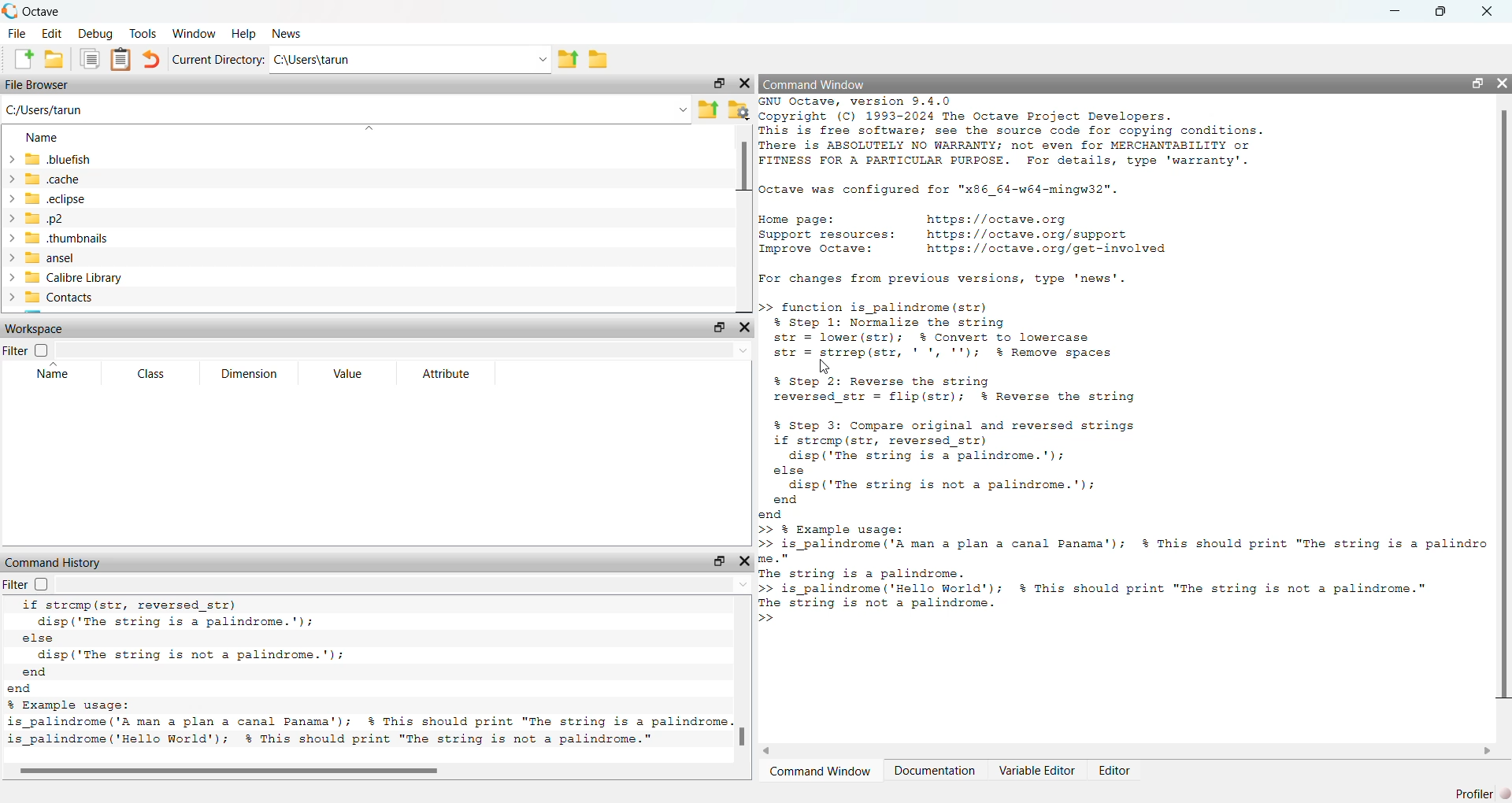 The width and height of the screenshot is (1512, 803). Describe the element at coordinates (16, 31) in the screenshot. I see `file` at that location.